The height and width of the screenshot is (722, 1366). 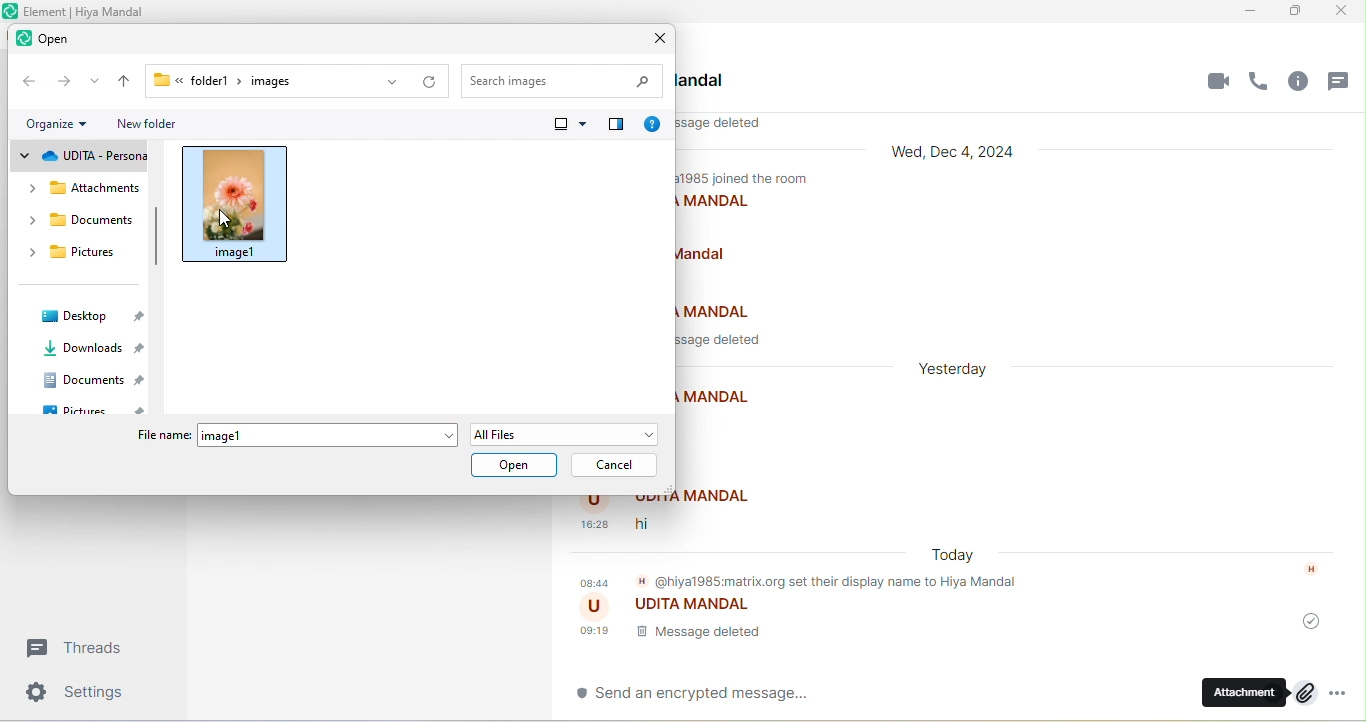 What do you see at coordinates (699, 695) in the screenshot?
I see `send an encrypted message` at bounding box center [699, 695].